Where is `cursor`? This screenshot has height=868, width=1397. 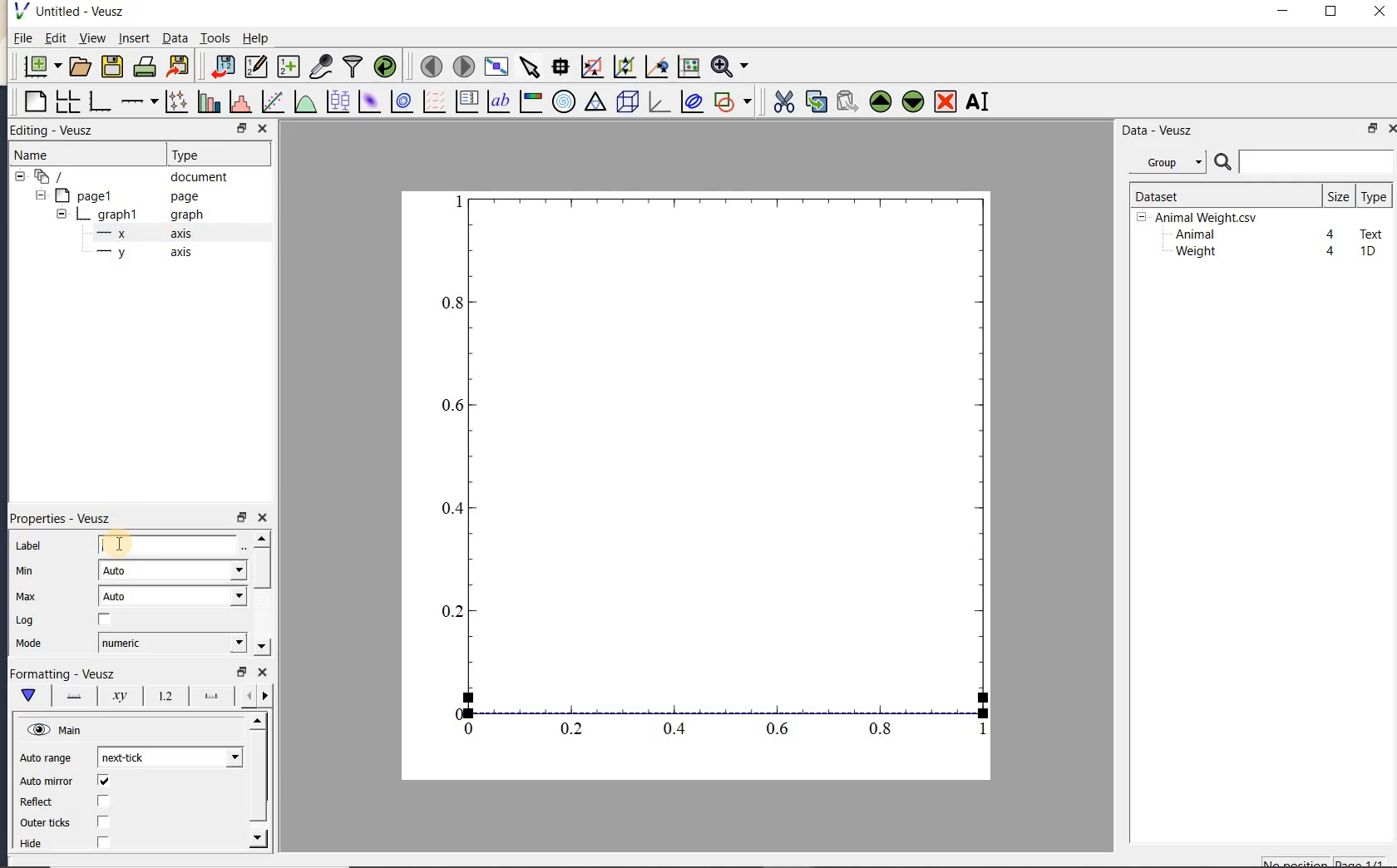
cursor is located at coordinates (119, 544).